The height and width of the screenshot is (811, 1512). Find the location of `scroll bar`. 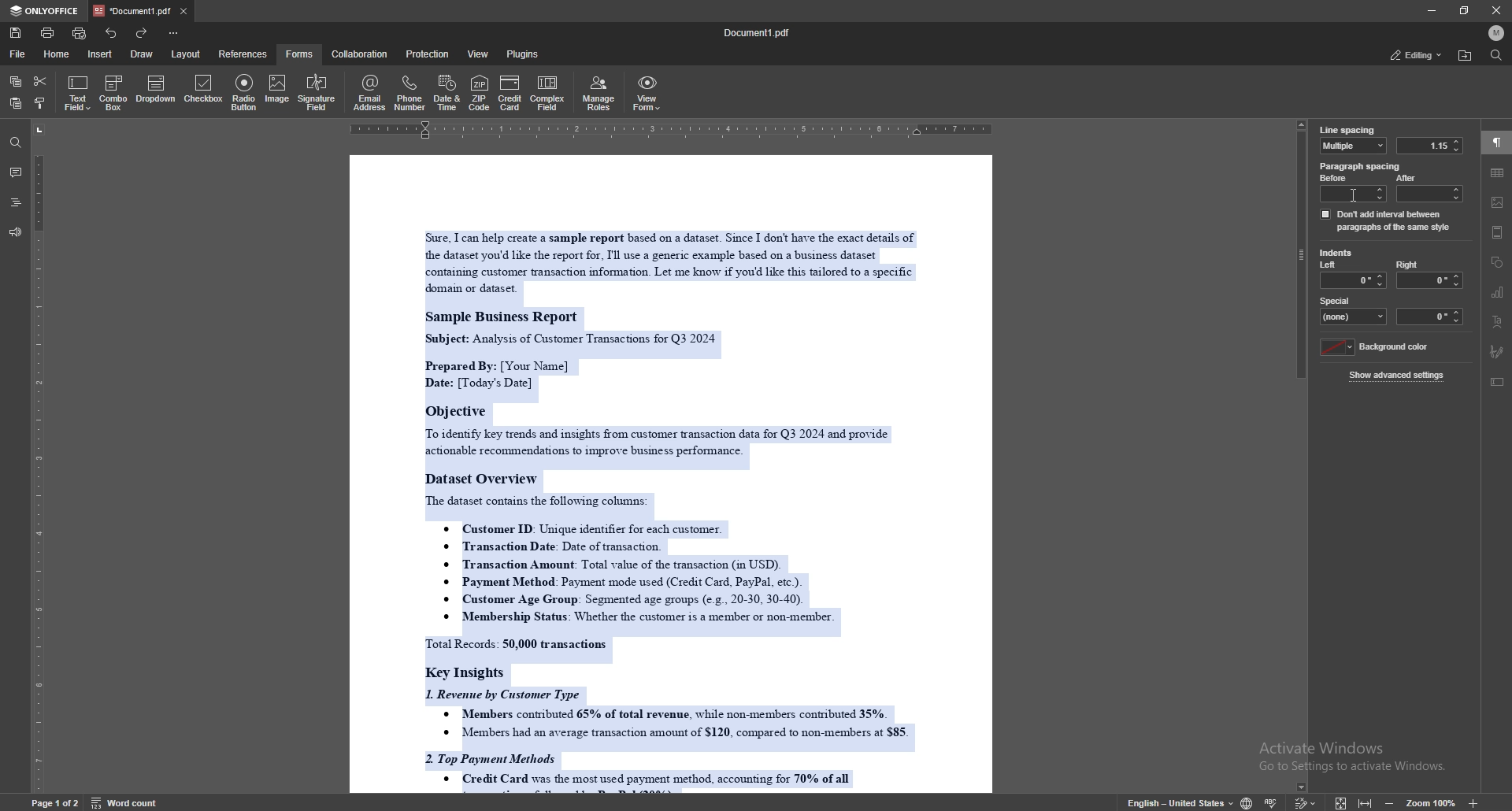

scroll bar is located at coordinates (1302, 459).